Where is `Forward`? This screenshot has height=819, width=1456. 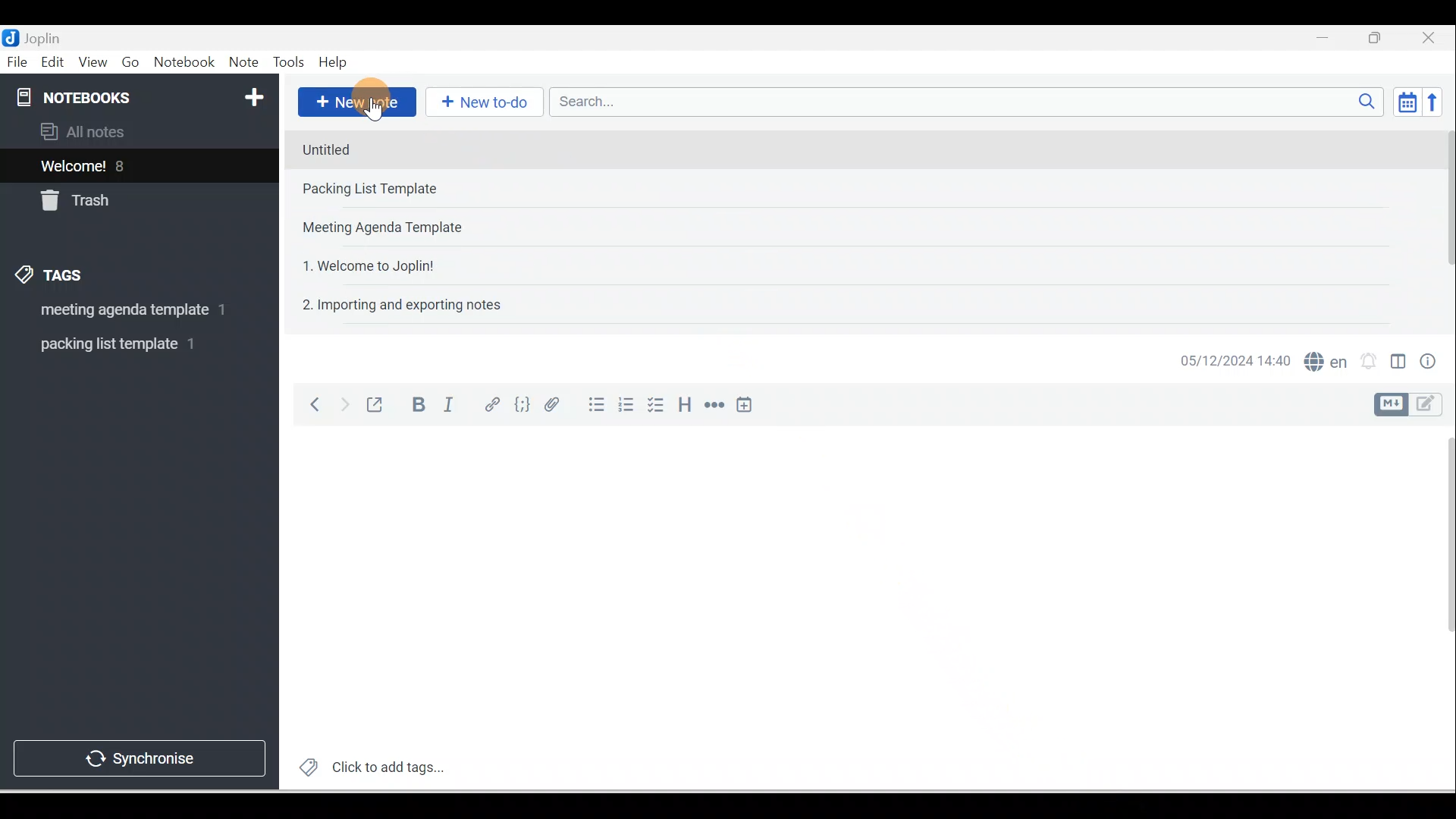
Forward is located at coordinates (343, 403).